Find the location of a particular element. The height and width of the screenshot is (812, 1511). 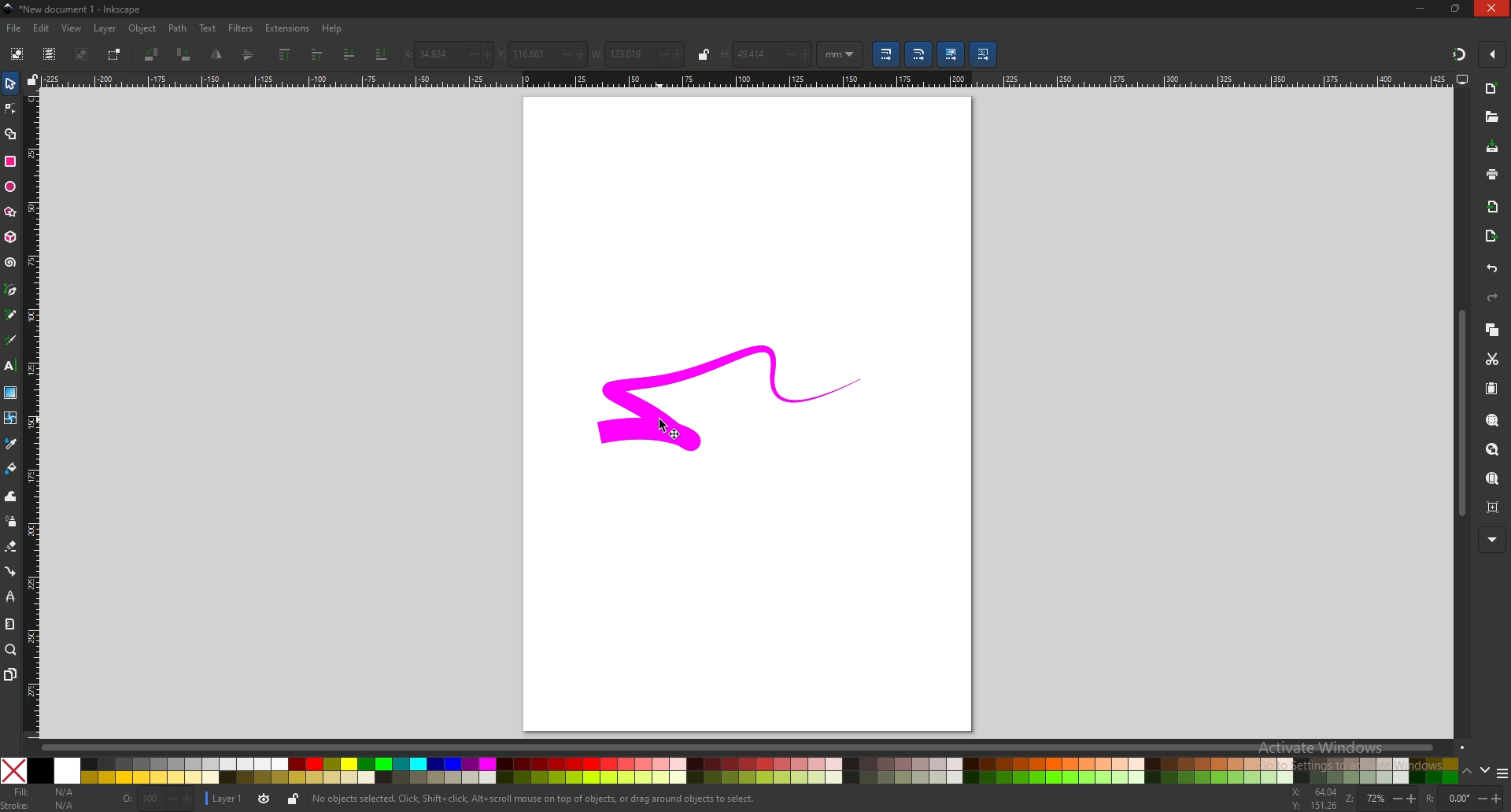

opacity is located at coordinates (158, 799).